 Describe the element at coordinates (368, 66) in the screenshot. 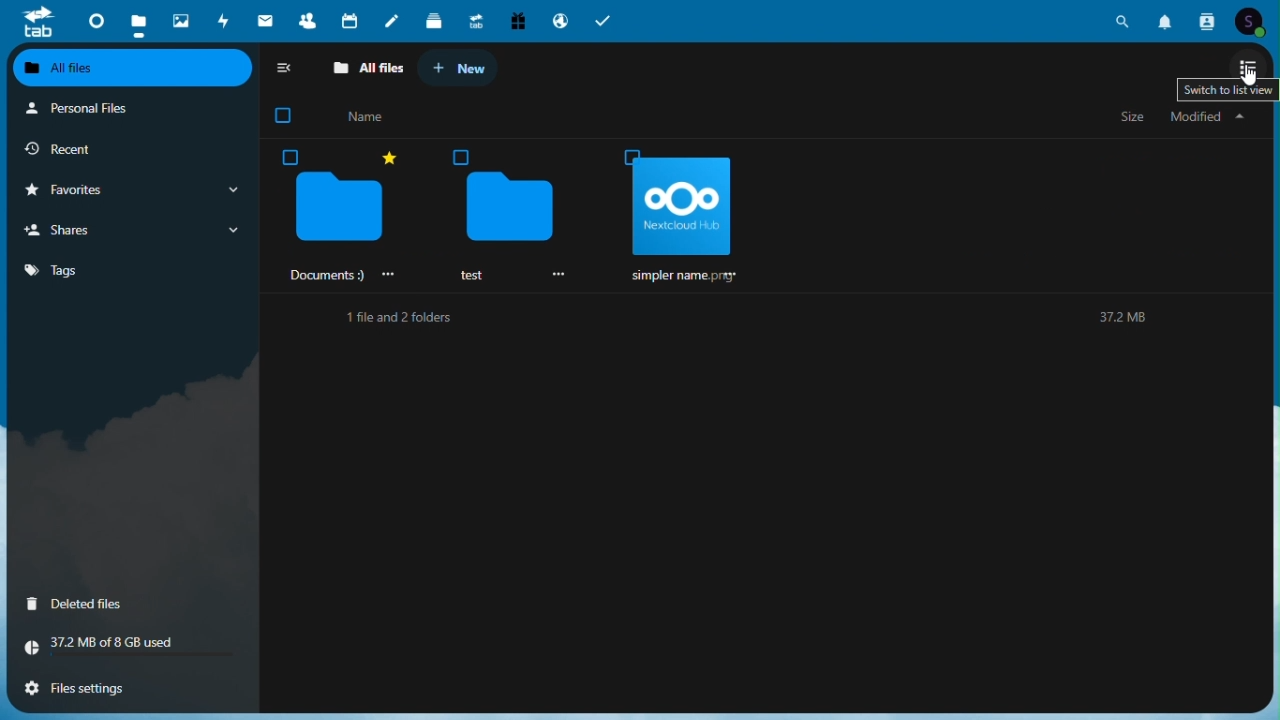

I see `All files` at that location.